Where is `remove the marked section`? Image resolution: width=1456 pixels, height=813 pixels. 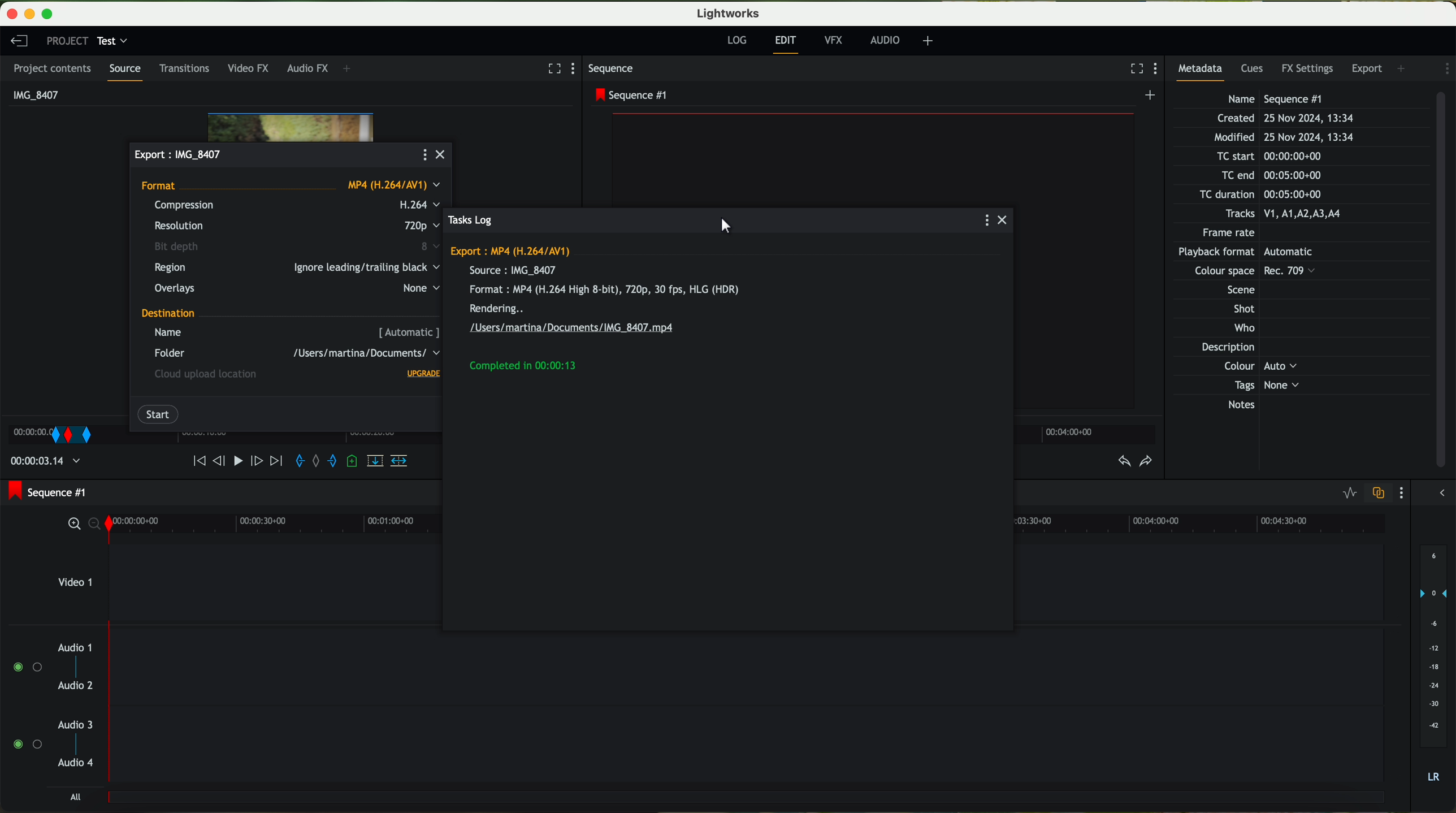
remove the marked section is located at coordinates (959, 462).